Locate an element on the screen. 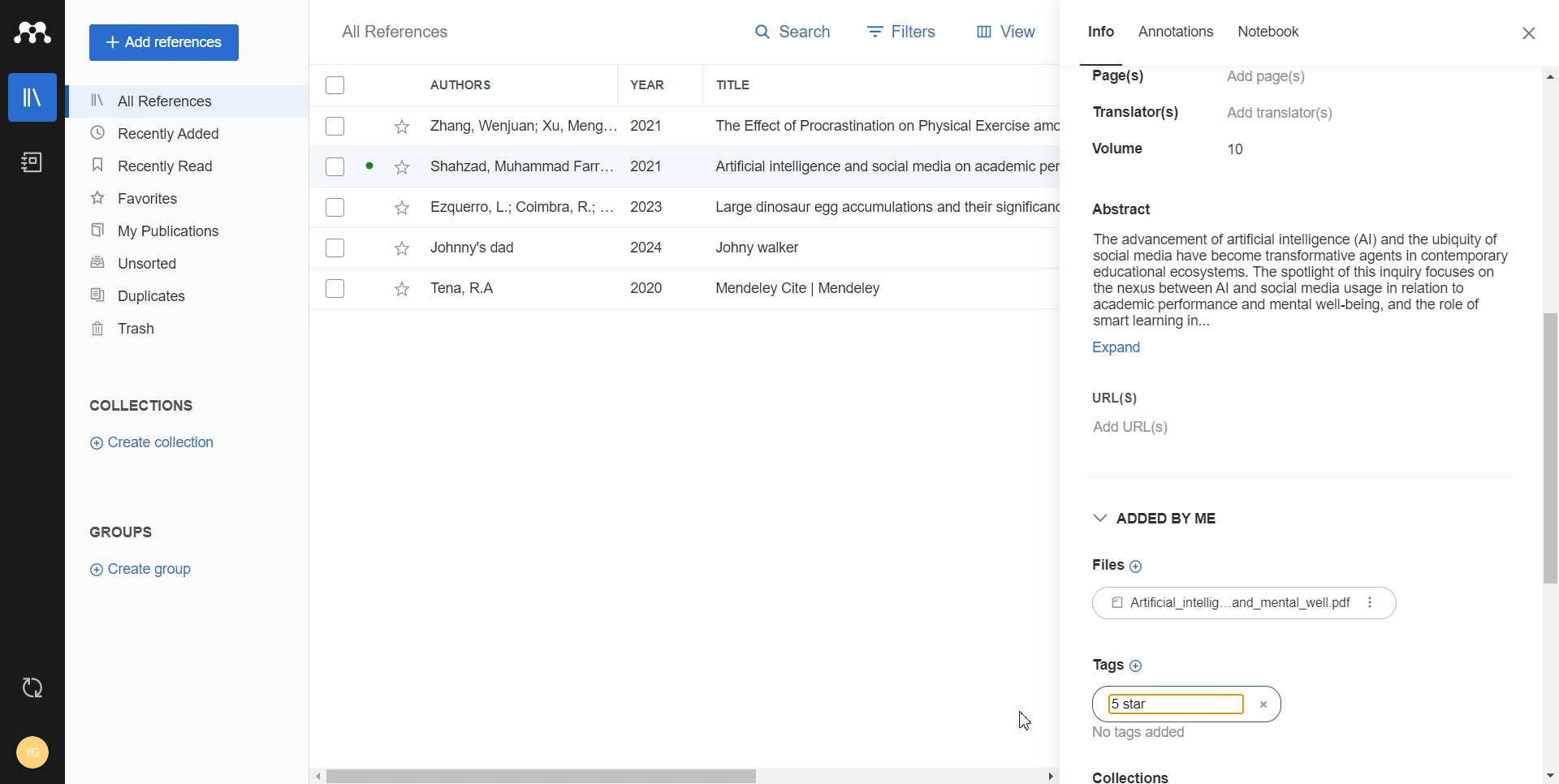  File is located at coordinates (687, 208).